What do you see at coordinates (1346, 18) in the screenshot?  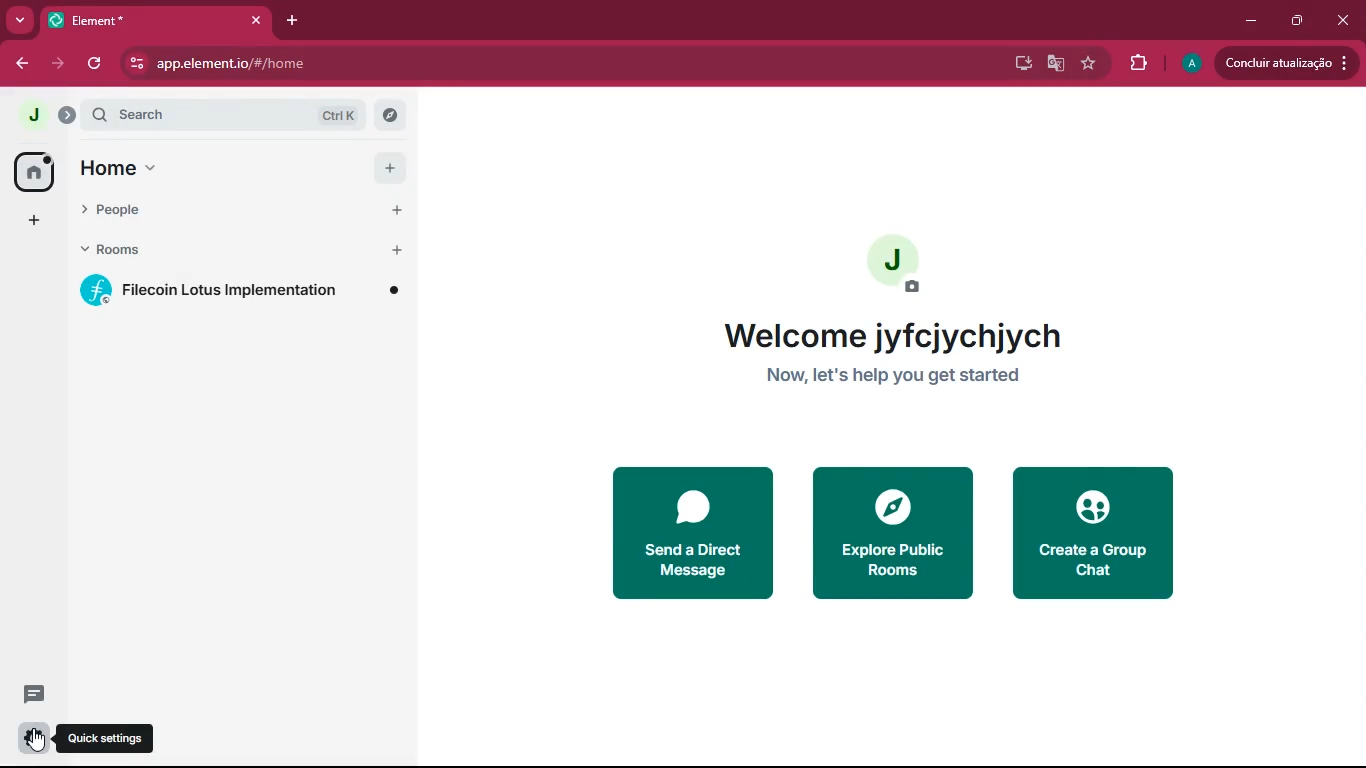 I see `close` at bounding box center [1346, 18].